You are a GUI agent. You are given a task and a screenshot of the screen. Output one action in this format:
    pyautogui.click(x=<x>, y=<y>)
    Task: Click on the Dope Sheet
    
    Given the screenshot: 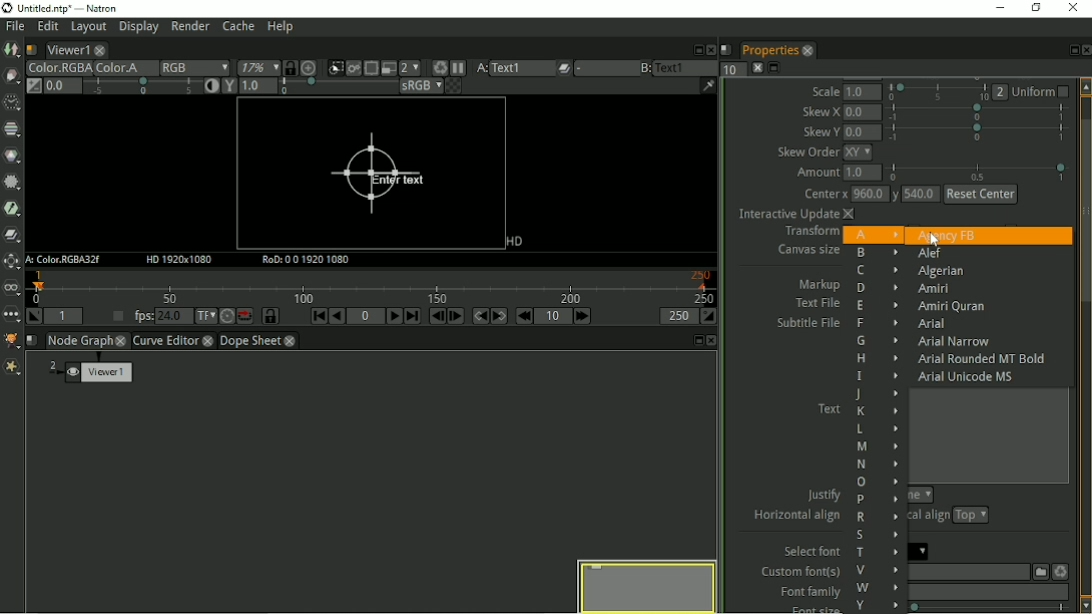 What is the action you would take?
    pyautogui.click(x=251, y=341)
    